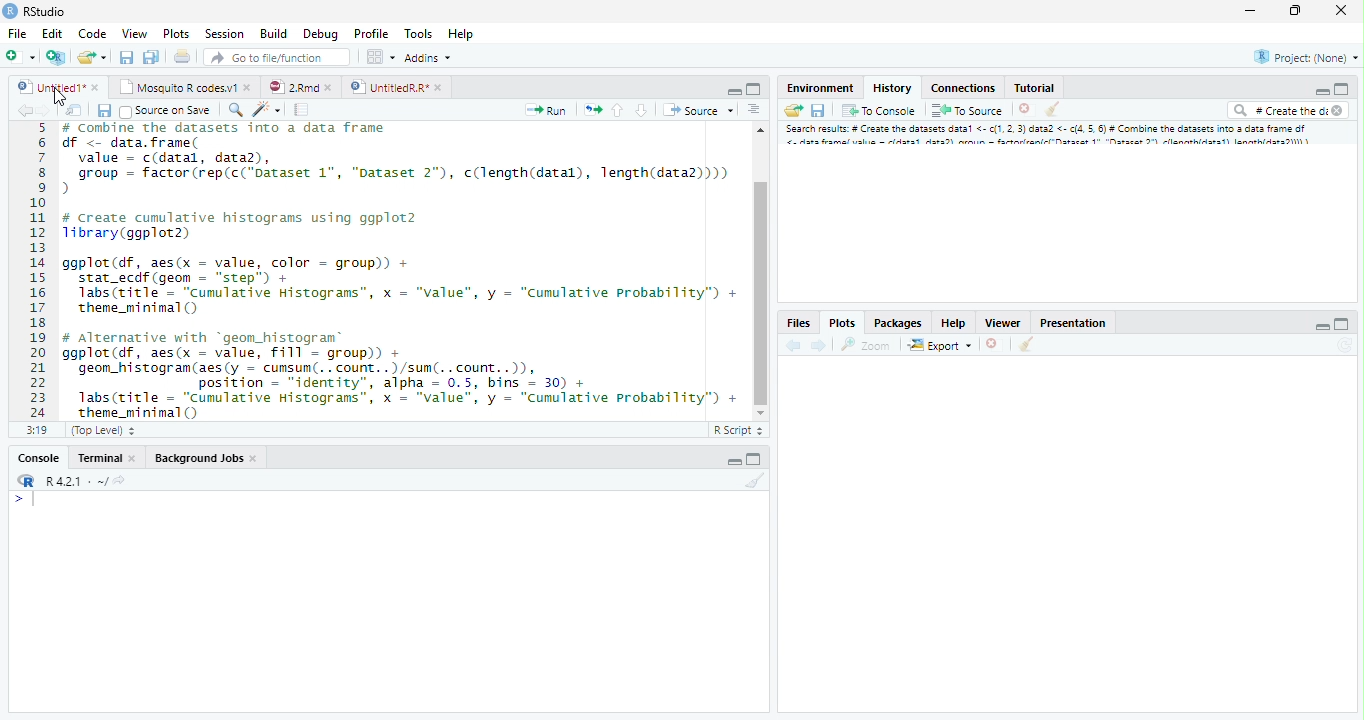 This screenshot has height=720, width=1364. I want to click on UntitledR.R, so click(396, 86).